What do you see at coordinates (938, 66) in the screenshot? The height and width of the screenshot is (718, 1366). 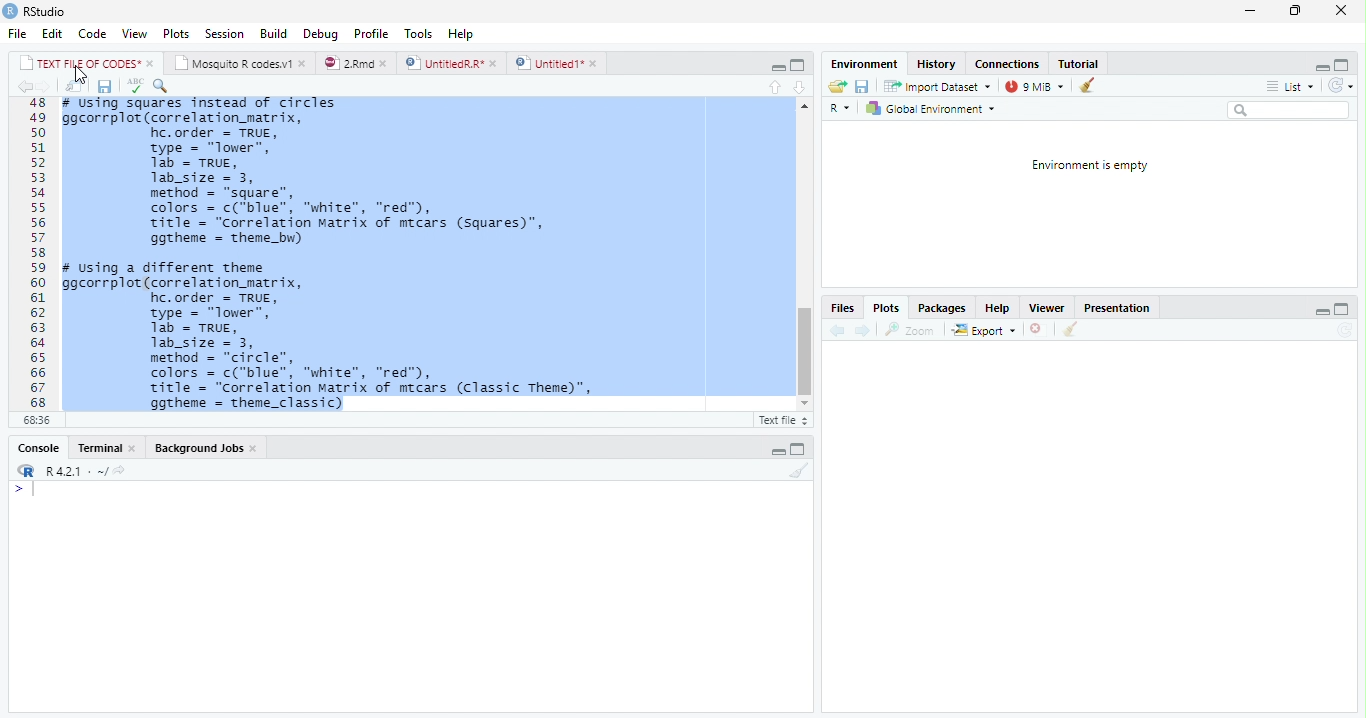 I see ` History` at bounding box center [938, 66].